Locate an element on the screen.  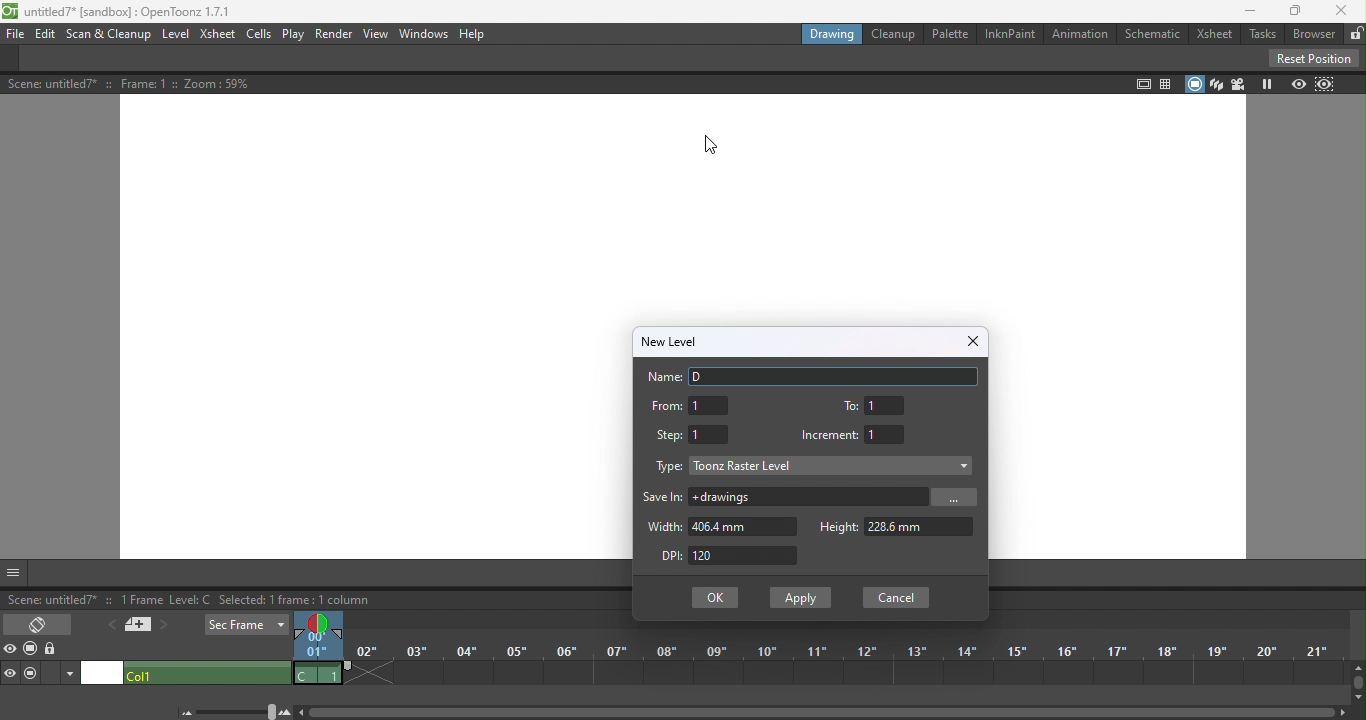
3D view is located at coordinates (1214, 83).